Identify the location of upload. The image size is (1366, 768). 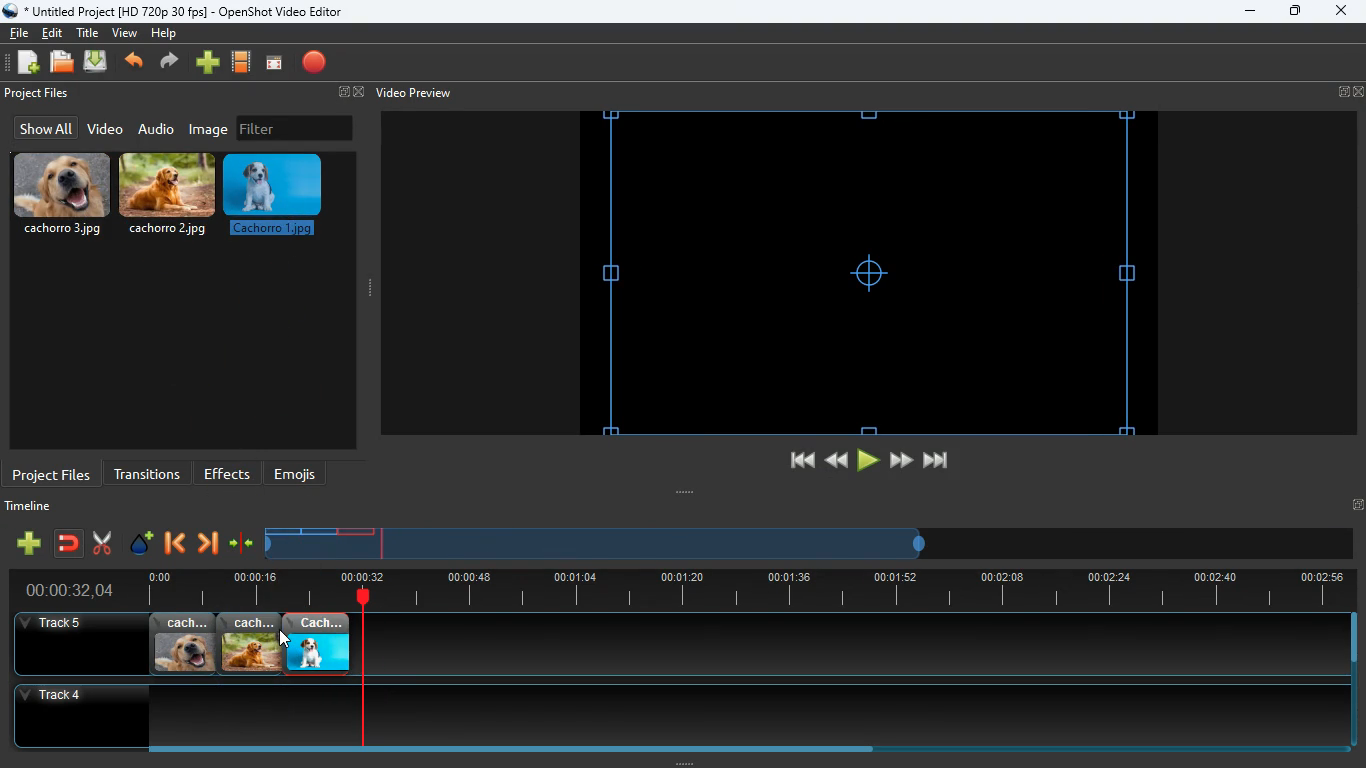
(98, 63).